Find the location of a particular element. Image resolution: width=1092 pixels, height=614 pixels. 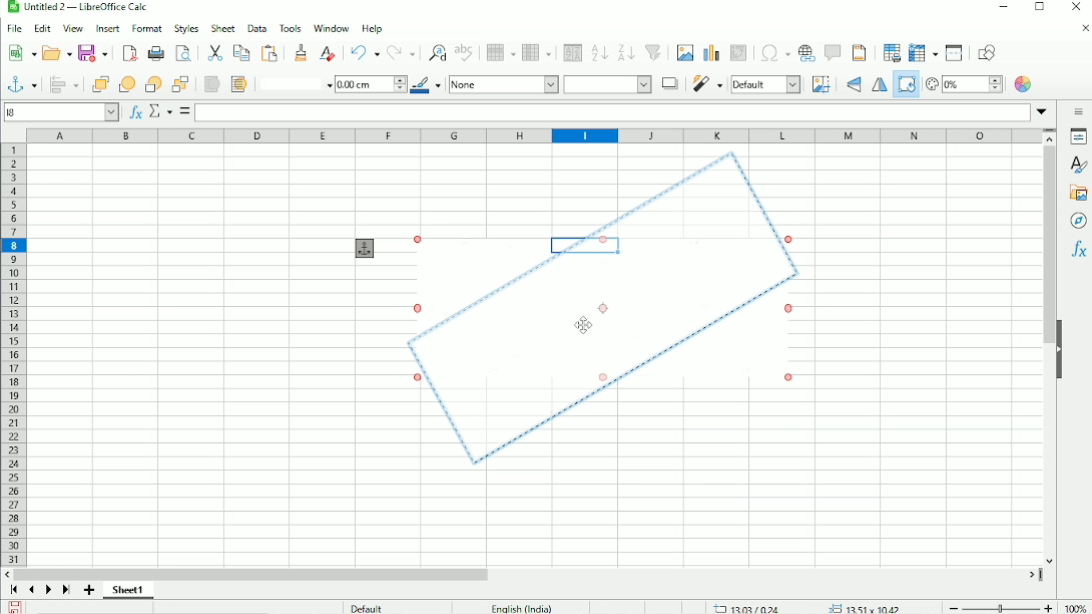

Line style is located at coordinates (292, 84).